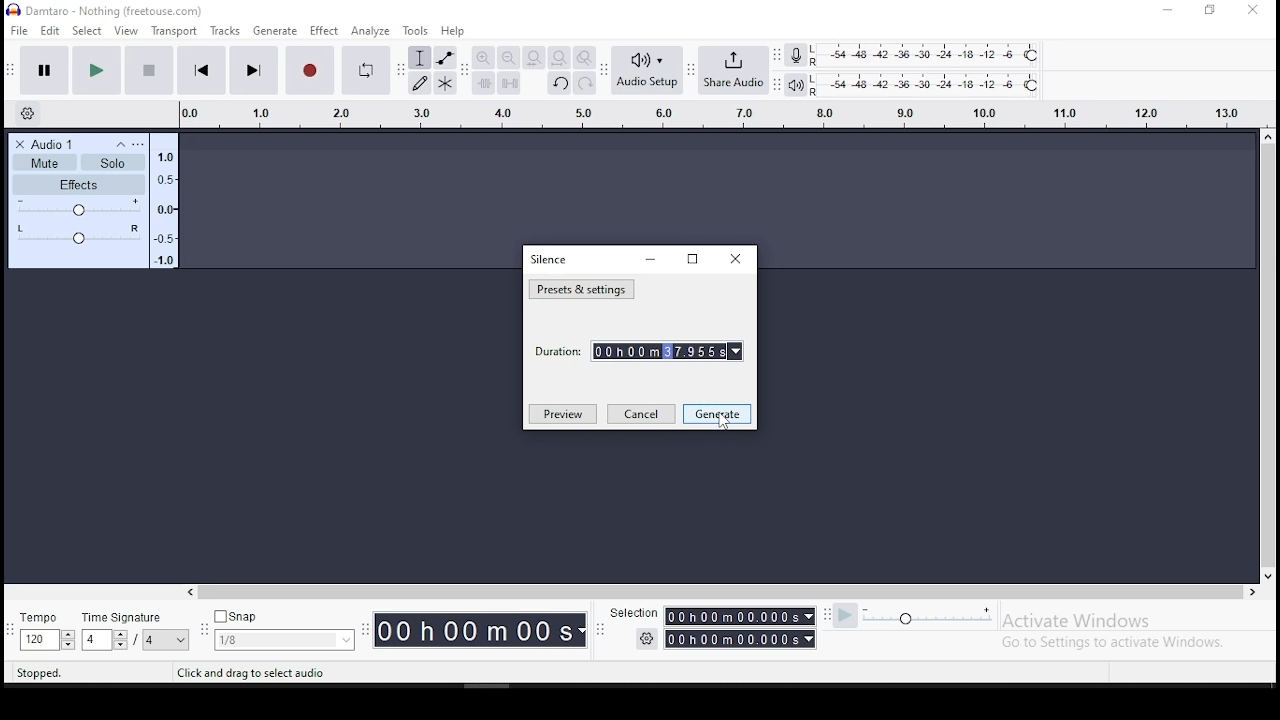 Image resolution: width=1280 pixels, height=720 pixels. What do you see at coordinates (105, 10) in the screenshot?
I see `icon and file name` at bounding box center [105, 10].